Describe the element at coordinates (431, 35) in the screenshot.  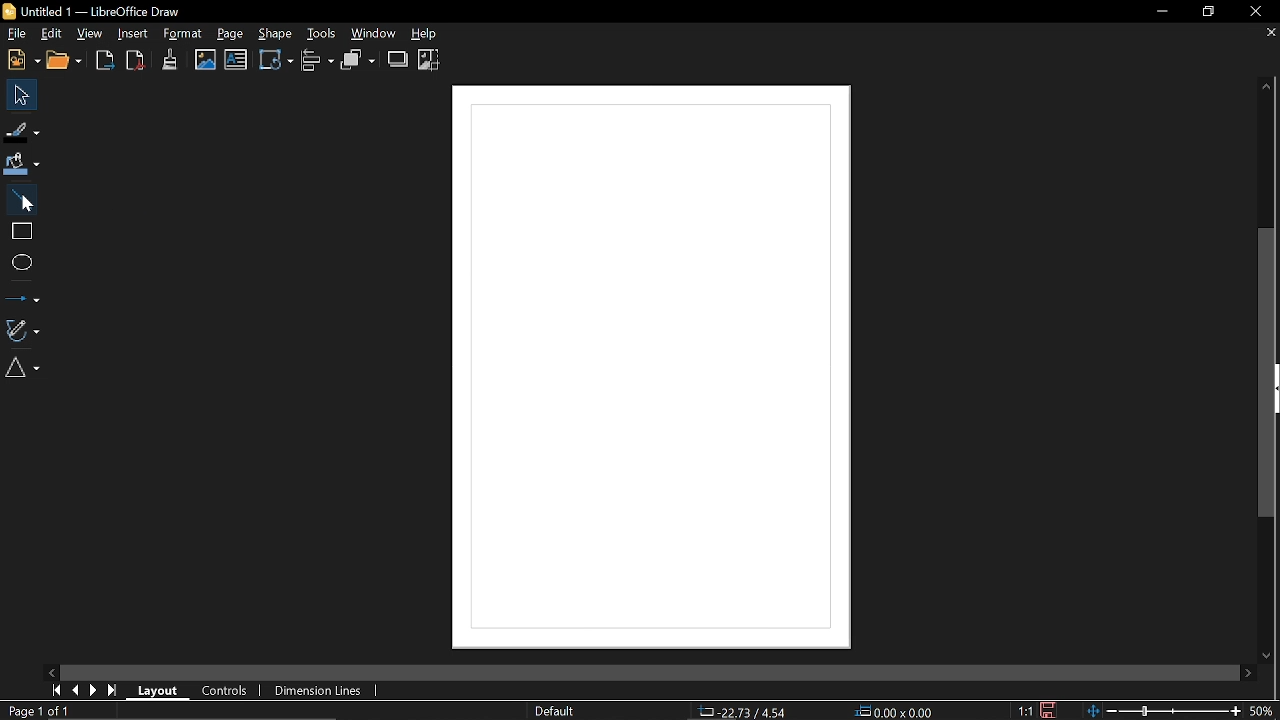
I see `Help` at that location.